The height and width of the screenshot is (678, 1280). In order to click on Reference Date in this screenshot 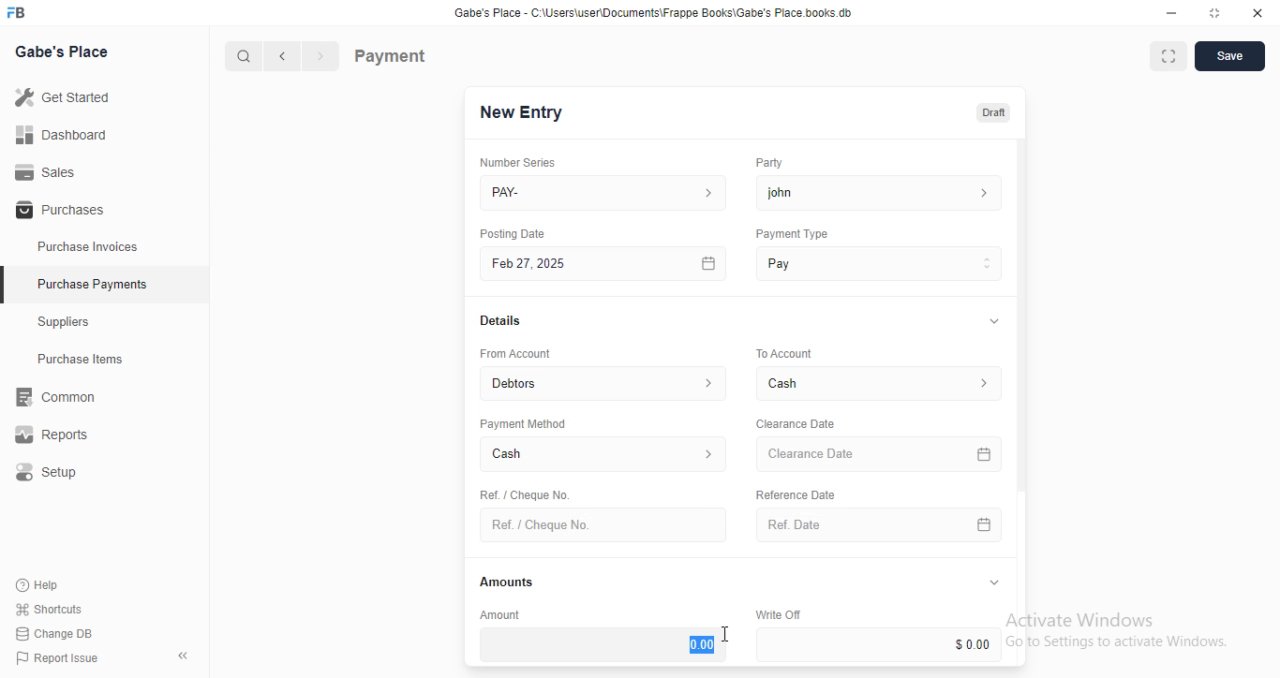, I will do `click(794, 493)`.